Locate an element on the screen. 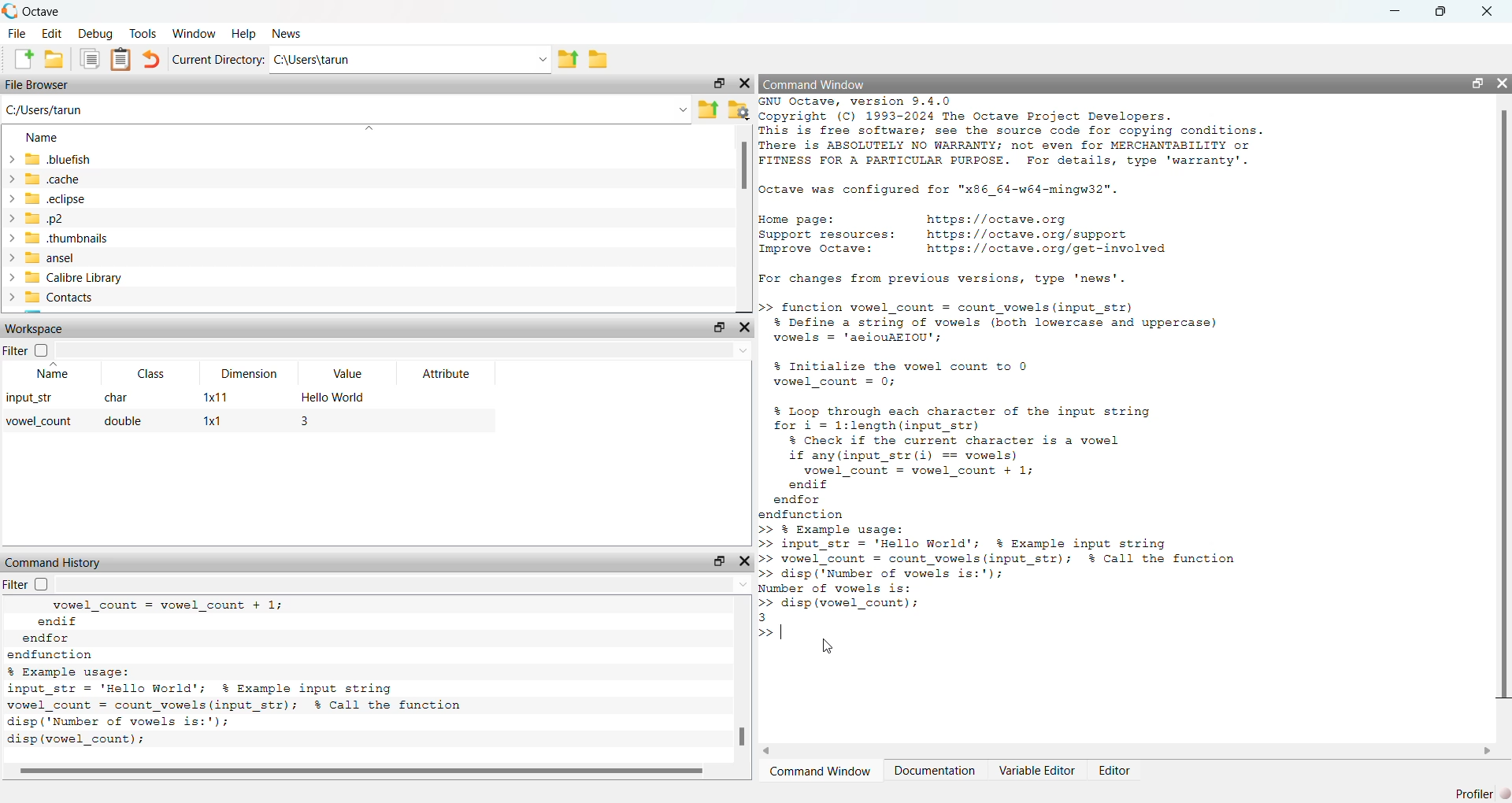  .thumbnails is located at coordinates (69, 239).